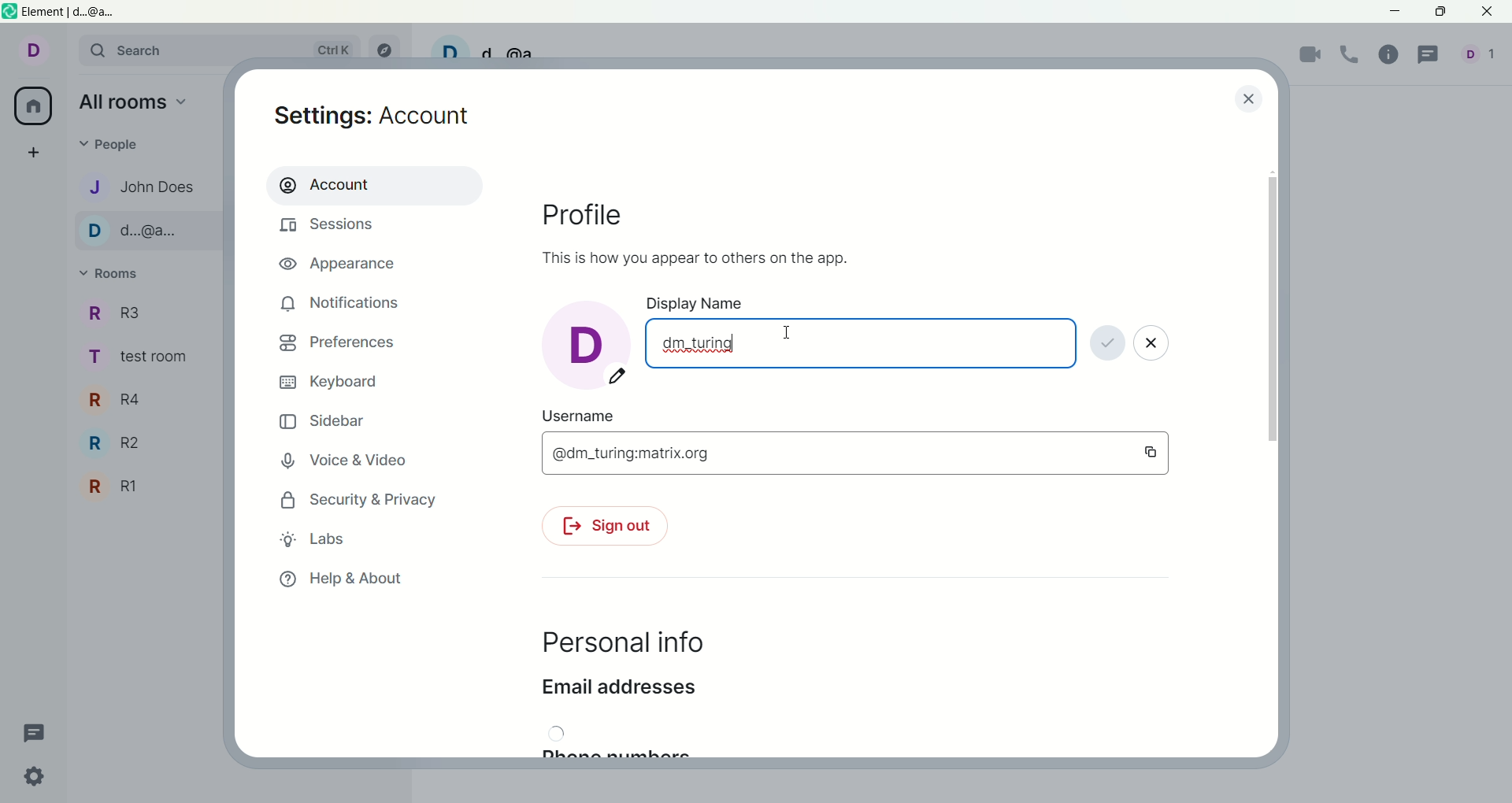  I want to click on email address, so click(618, 692).